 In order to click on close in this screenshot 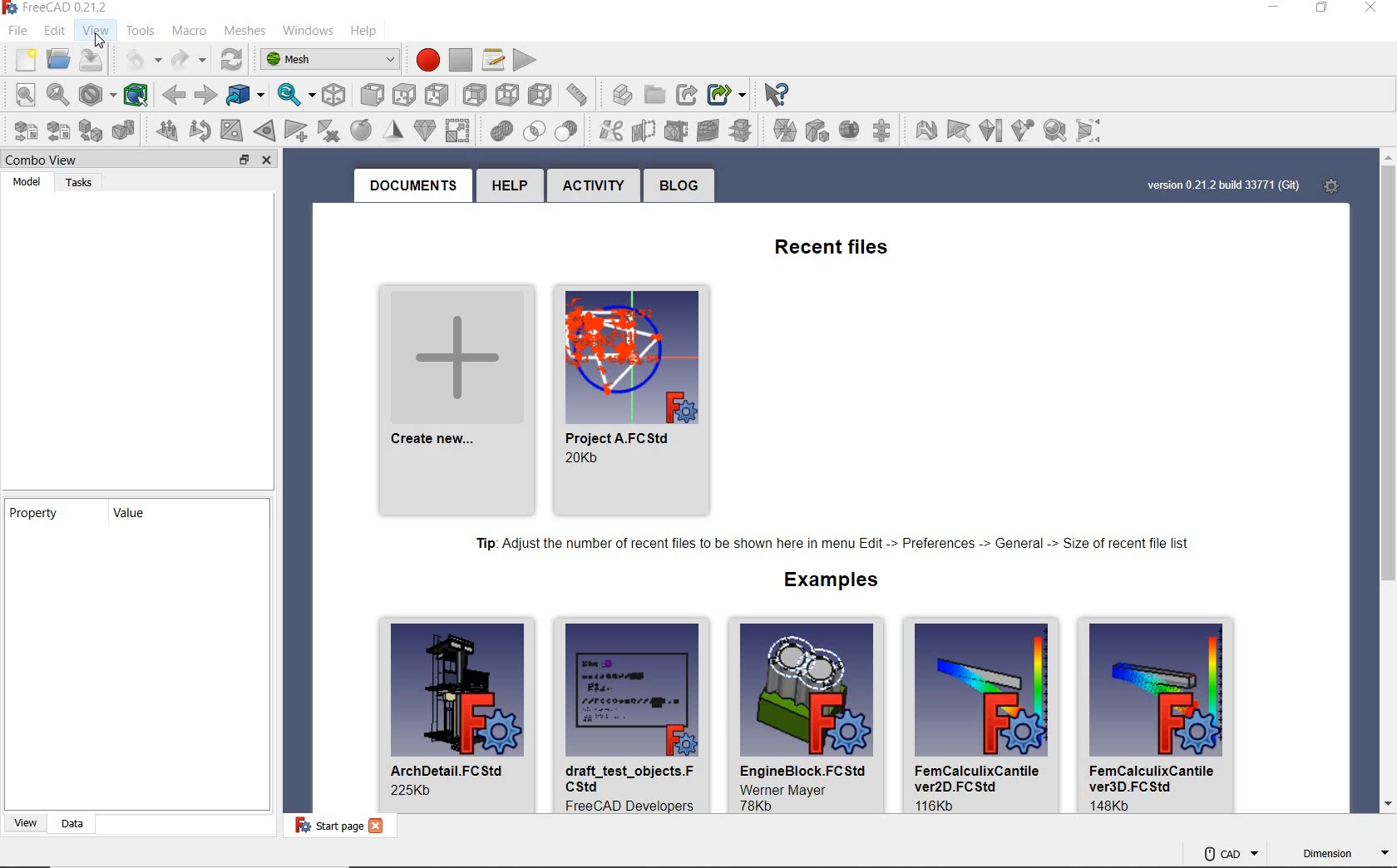, I will do `click(268, 162)`.